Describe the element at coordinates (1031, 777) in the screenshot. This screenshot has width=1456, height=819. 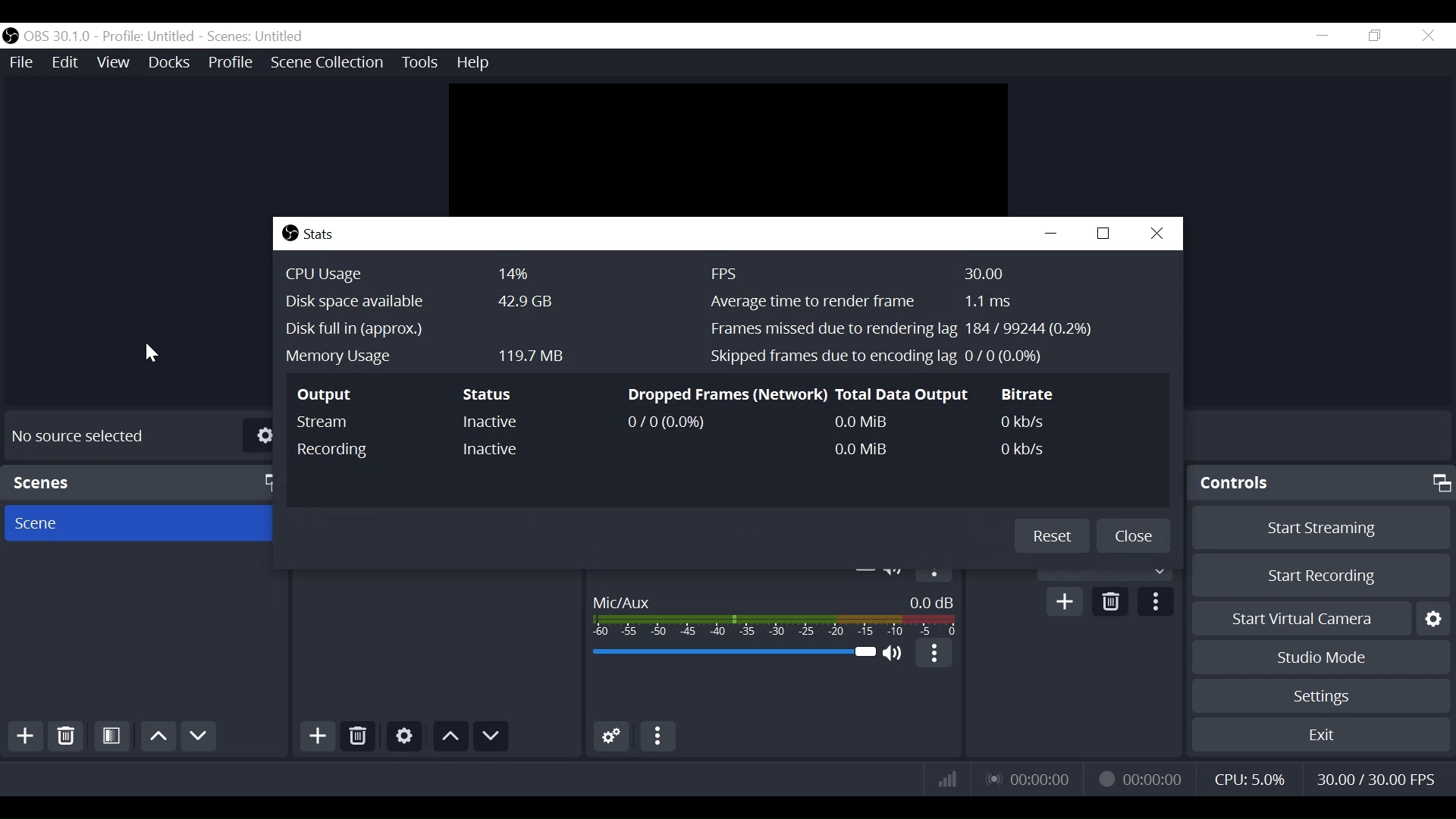
I see `Live Status` at that location.